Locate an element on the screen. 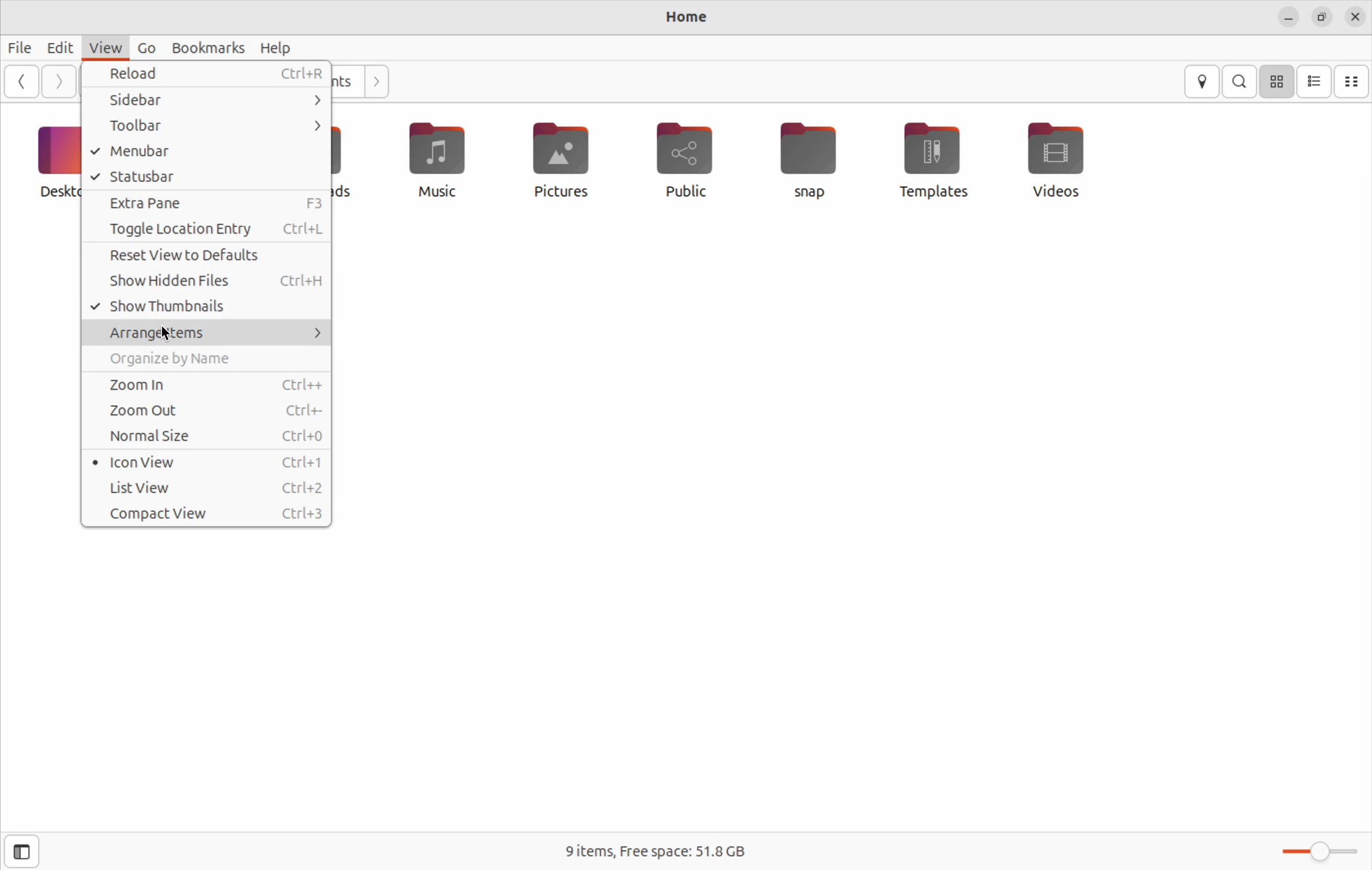 This screenshot has height=870, width=1372. videos is located at coordinates (1064, 159).